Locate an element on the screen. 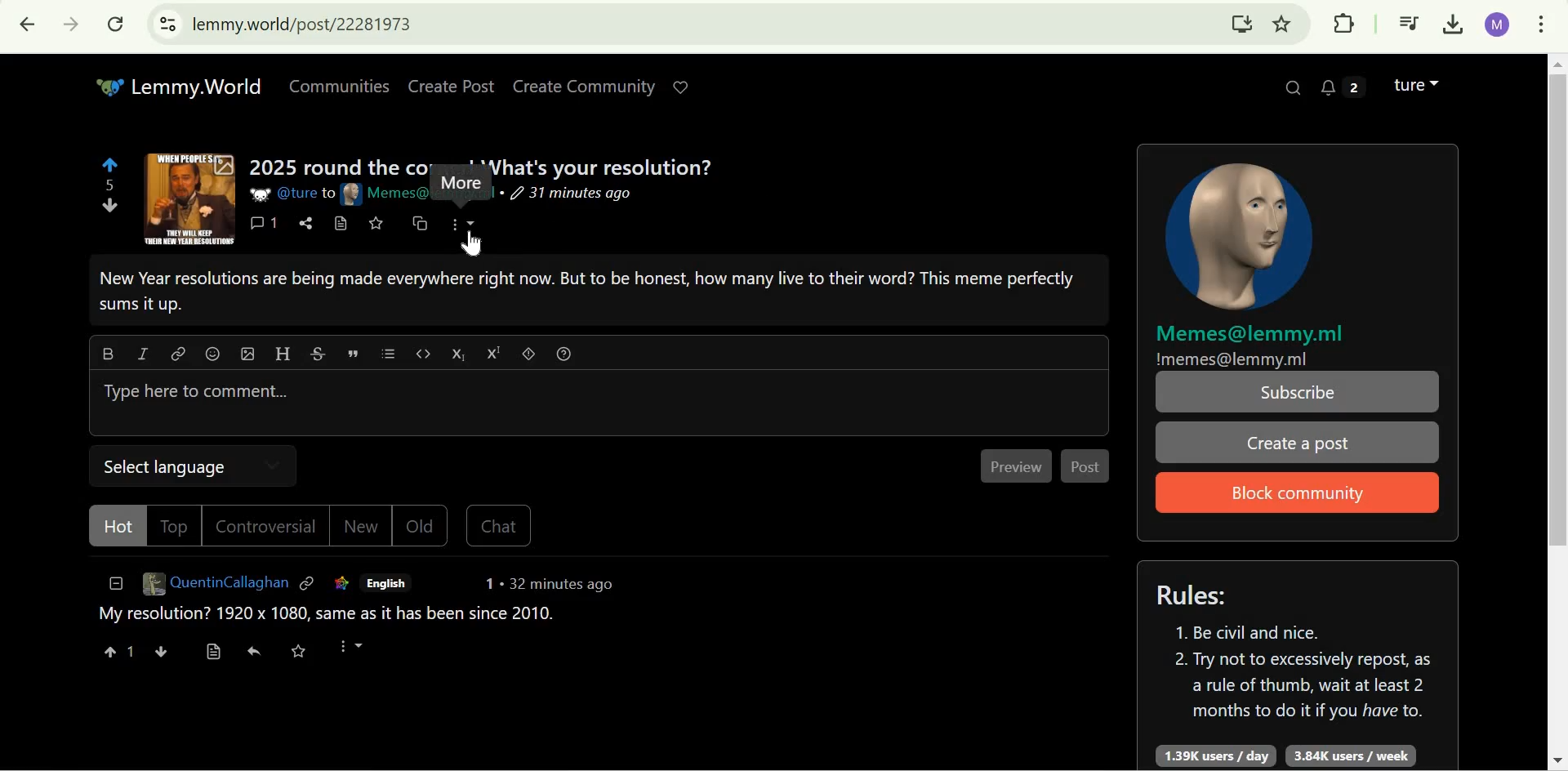 This screenshot has height=771, width=1568. Click to go back, hold to see history is located at coordinates (29, 25).